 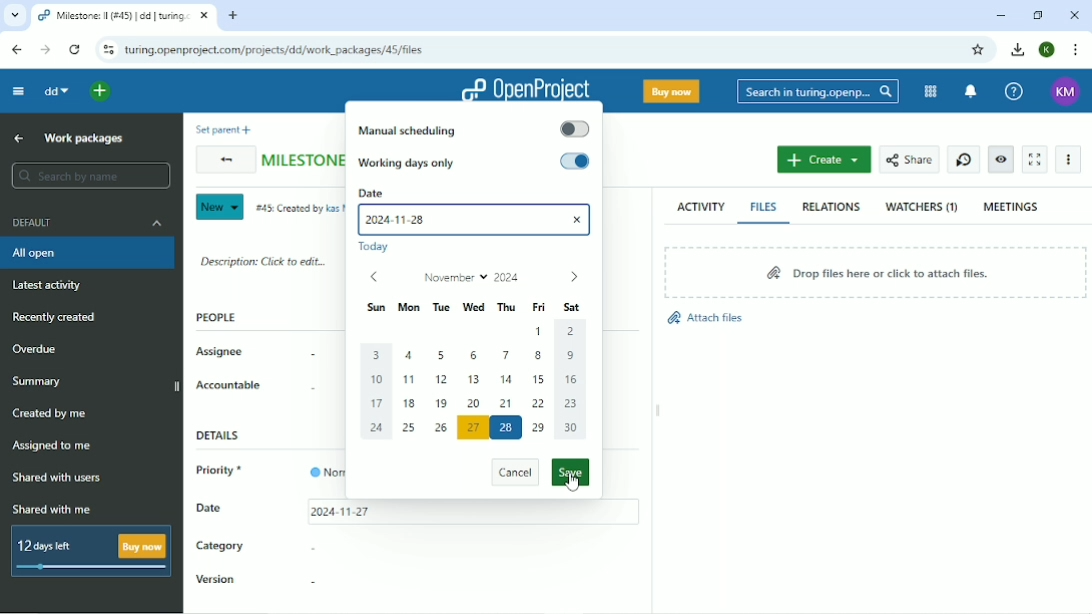 What do you see at coordinates (1069, 159) in the screenshot?
I see `More actions` at bounding box center [1069, 159].